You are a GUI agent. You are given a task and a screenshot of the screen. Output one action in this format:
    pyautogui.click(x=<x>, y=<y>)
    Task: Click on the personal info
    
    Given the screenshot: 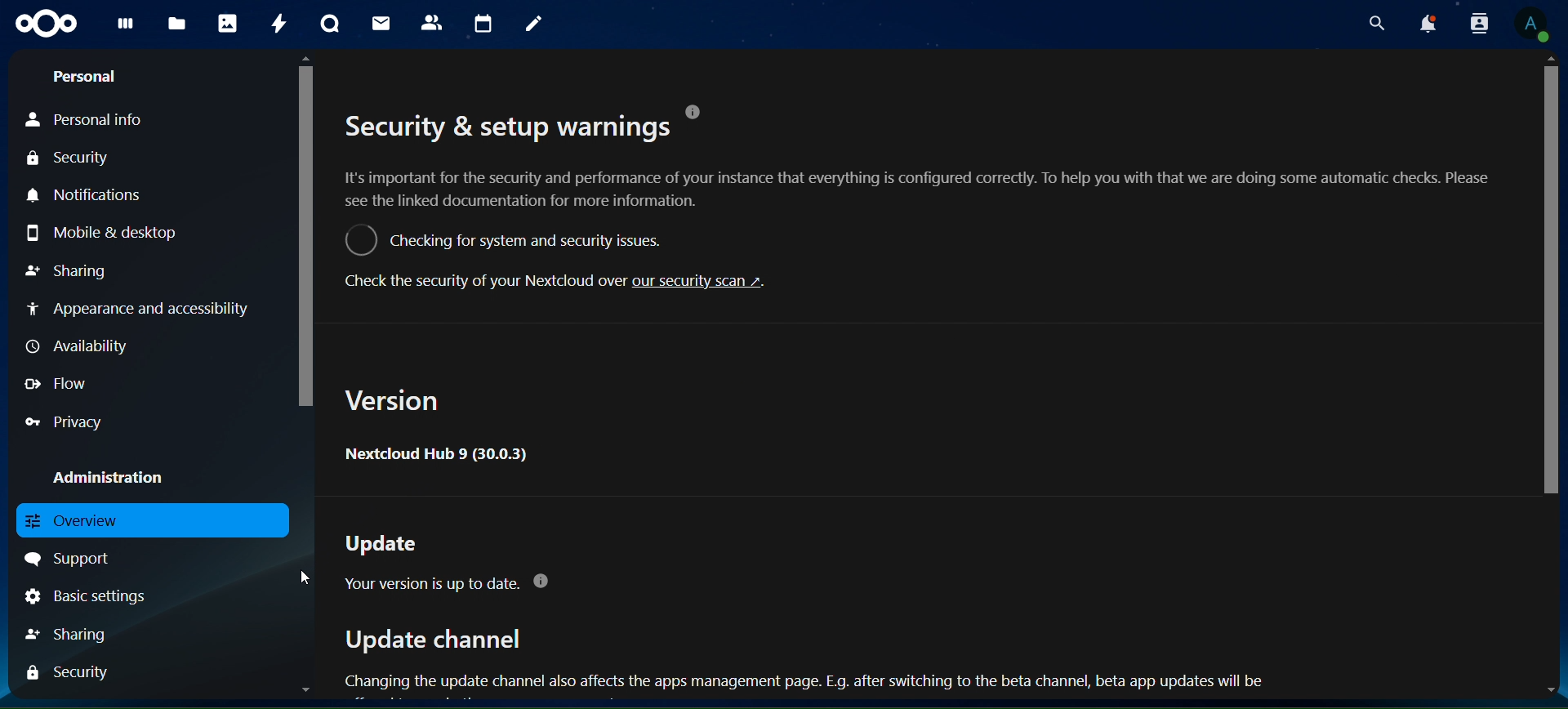 What is the action you would take?
    pyautogui.click(x=87, y=118)
    